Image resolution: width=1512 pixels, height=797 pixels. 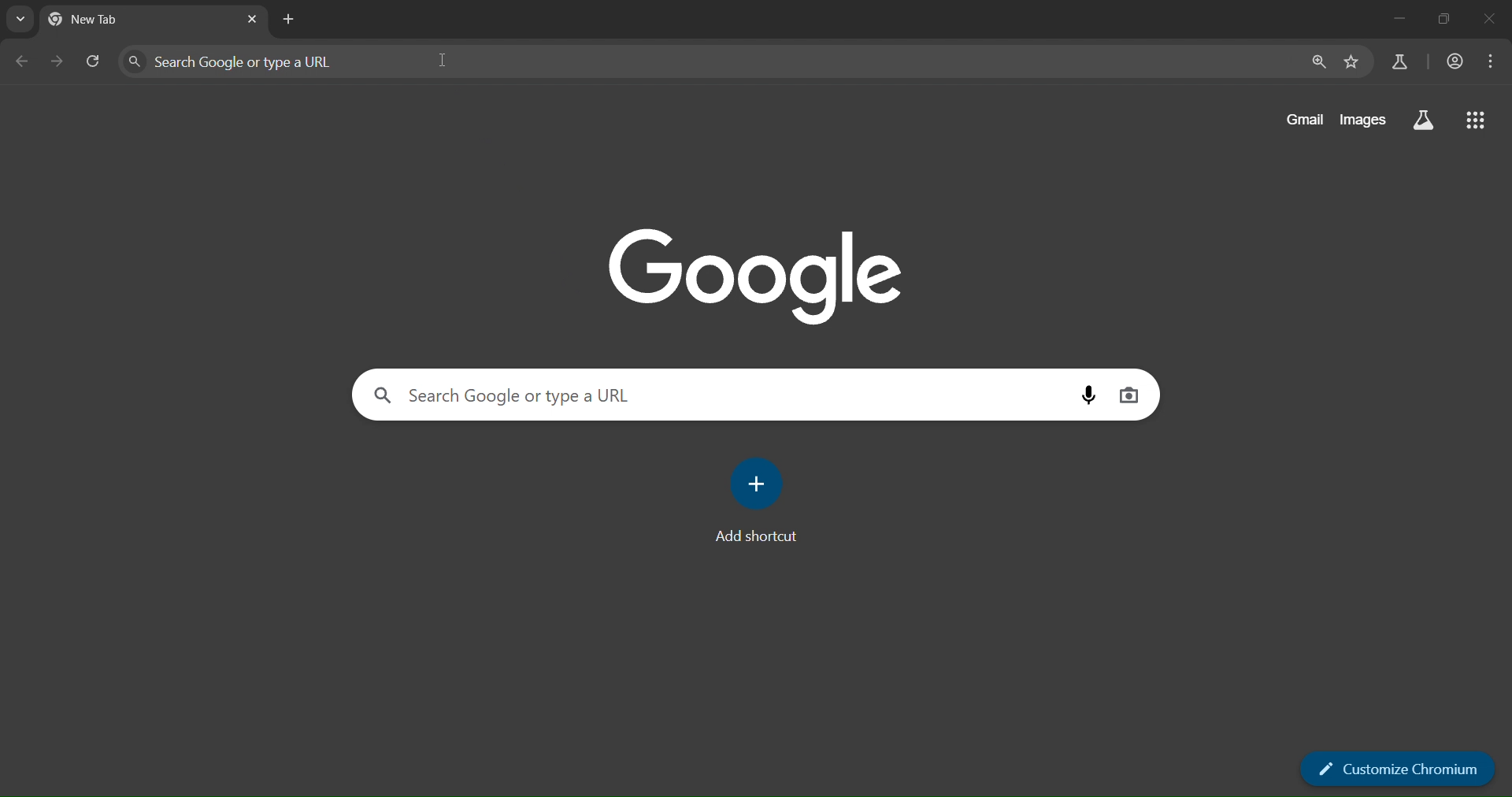 I want to click on search panel, so click(x=272, y=62).